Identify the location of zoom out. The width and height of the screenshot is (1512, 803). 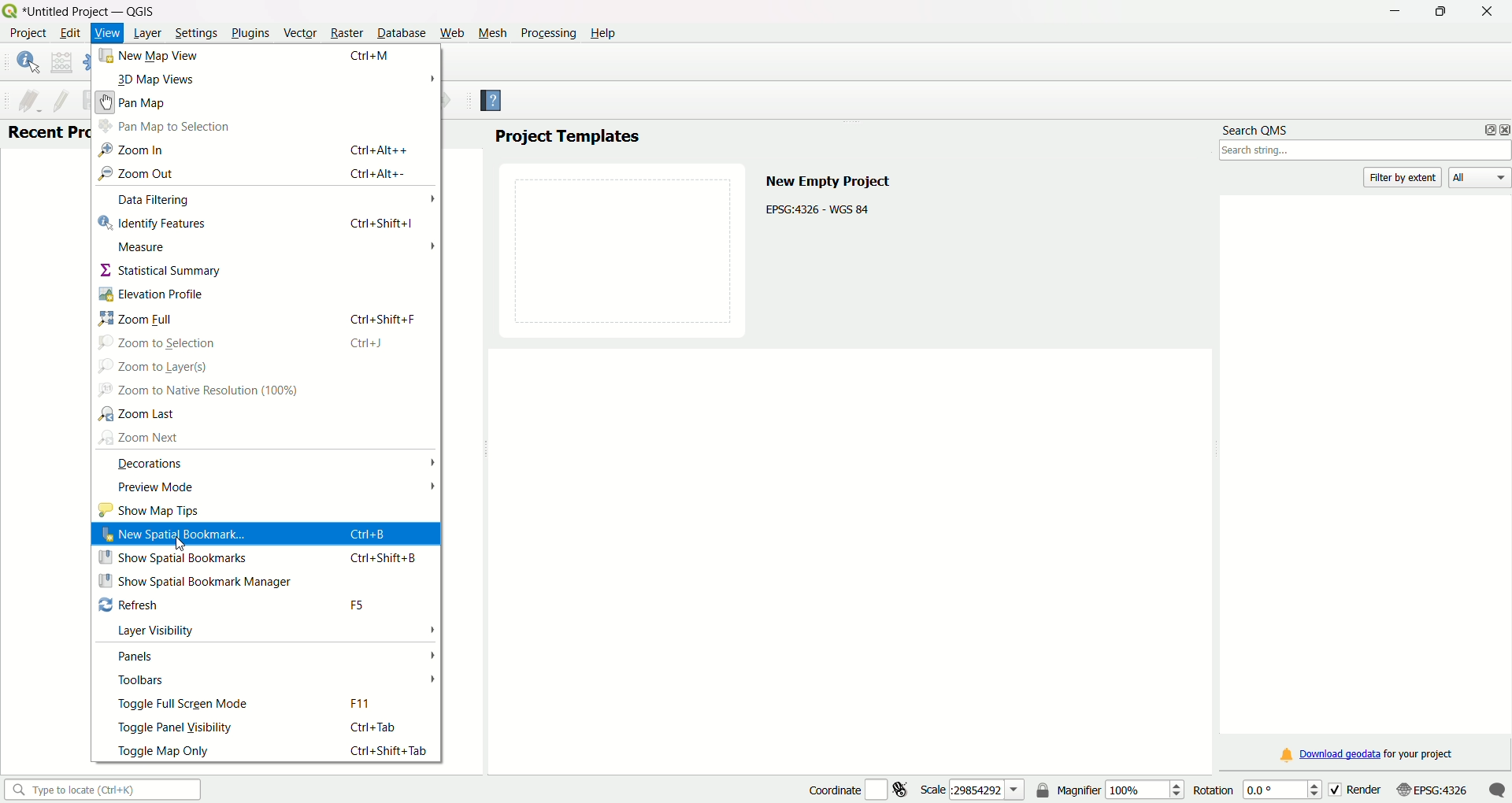
(137, 174).